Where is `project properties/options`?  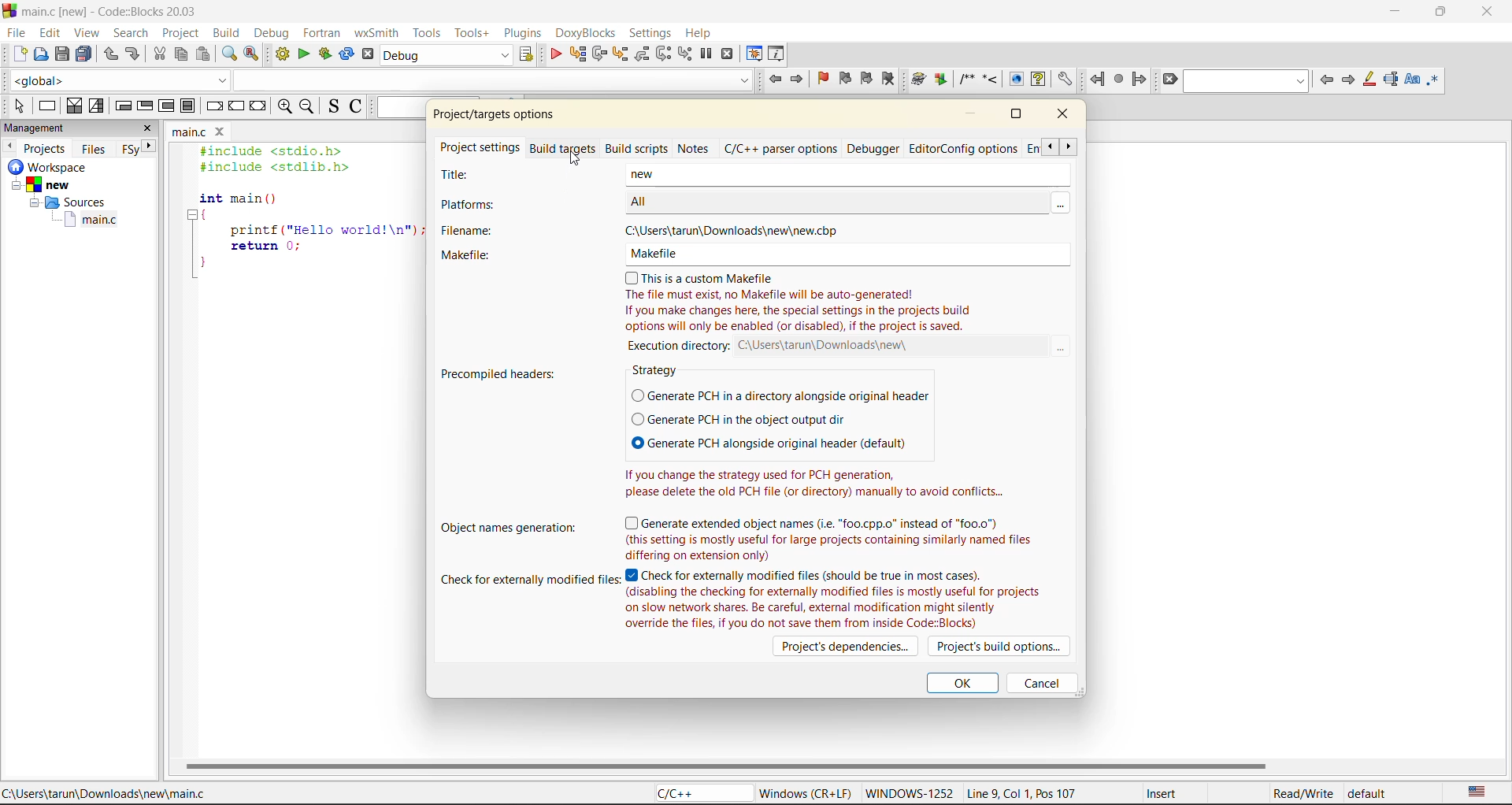 project properties/options is located at coordinates (491, 117).